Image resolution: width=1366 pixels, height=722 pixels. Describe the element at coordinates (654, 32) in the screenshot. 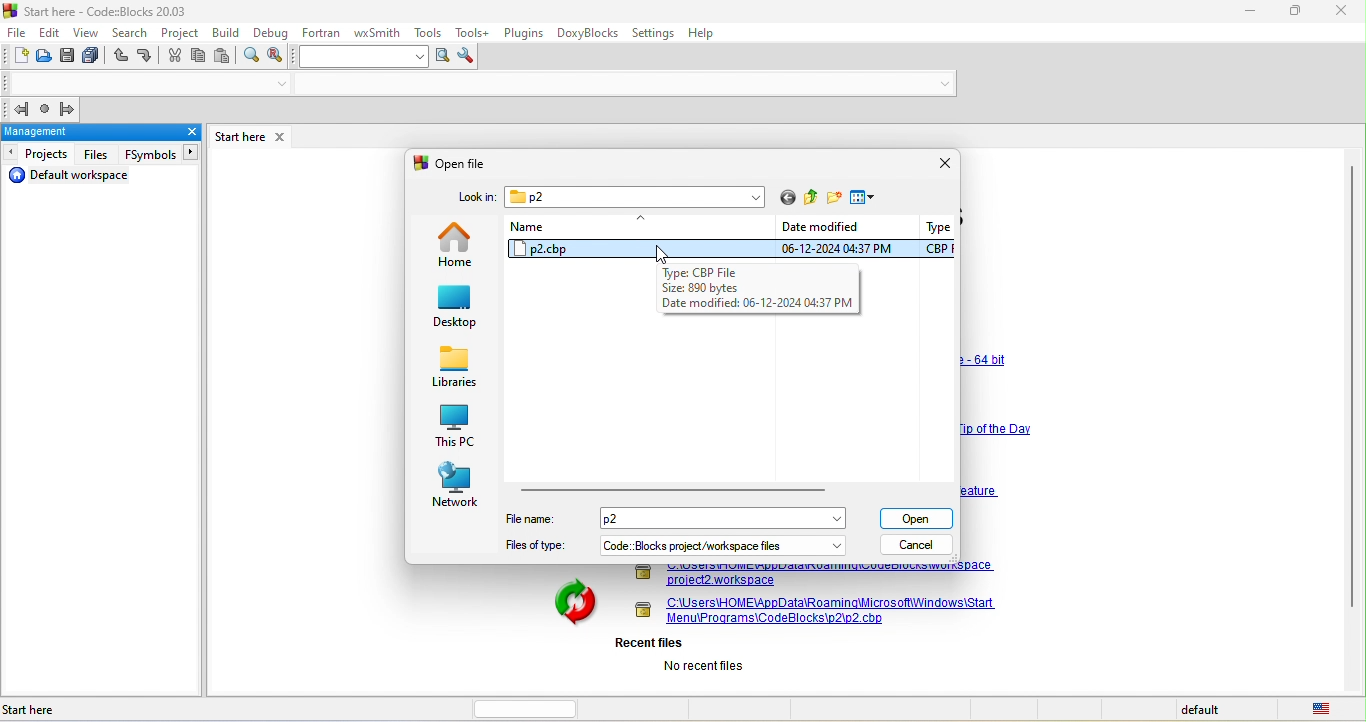

I see `settings` at that location.